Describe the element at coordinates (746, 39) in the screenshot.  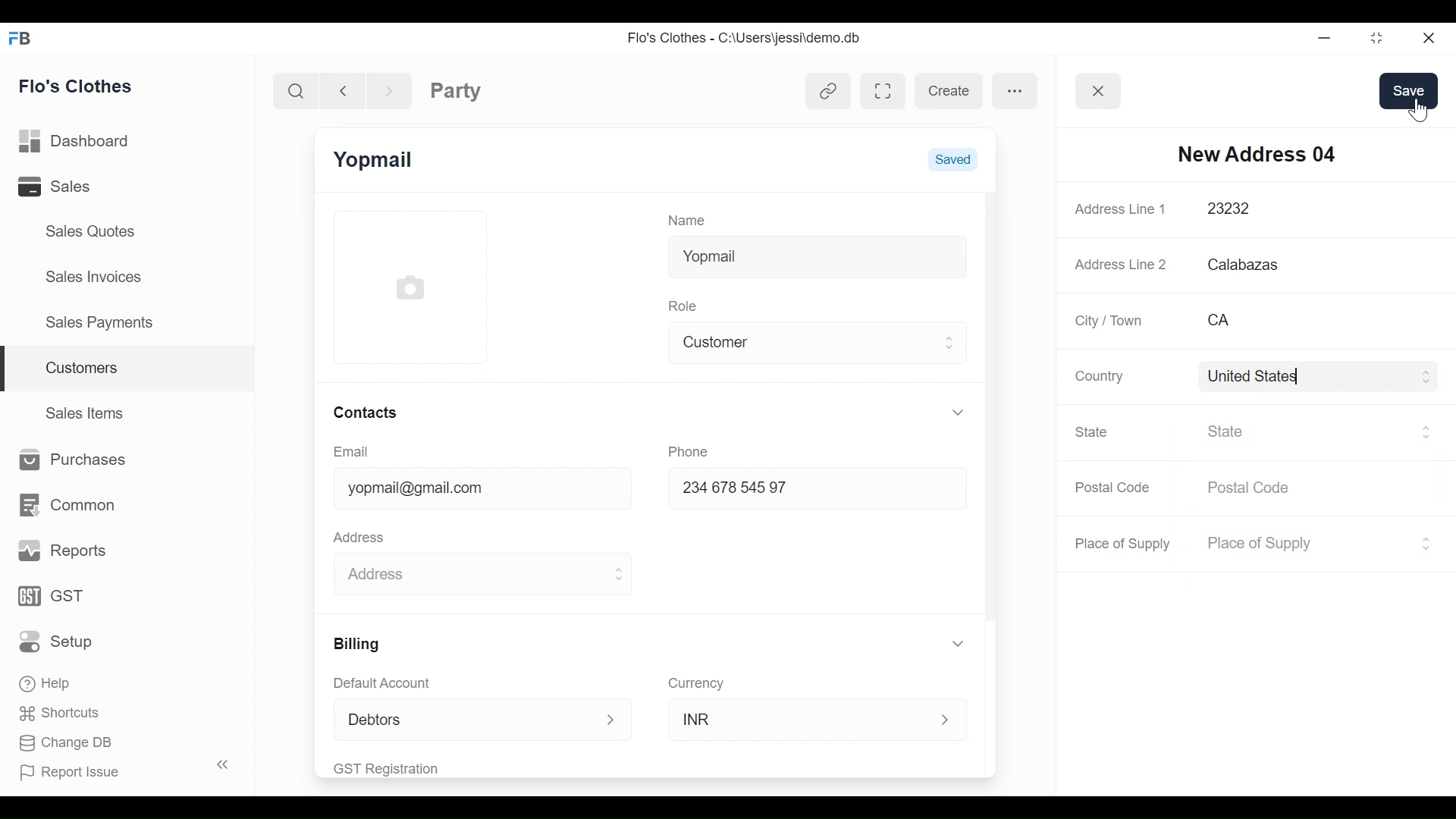
I see `Flo's Clothes - C:\Users\jessi\demo.db` at that location.